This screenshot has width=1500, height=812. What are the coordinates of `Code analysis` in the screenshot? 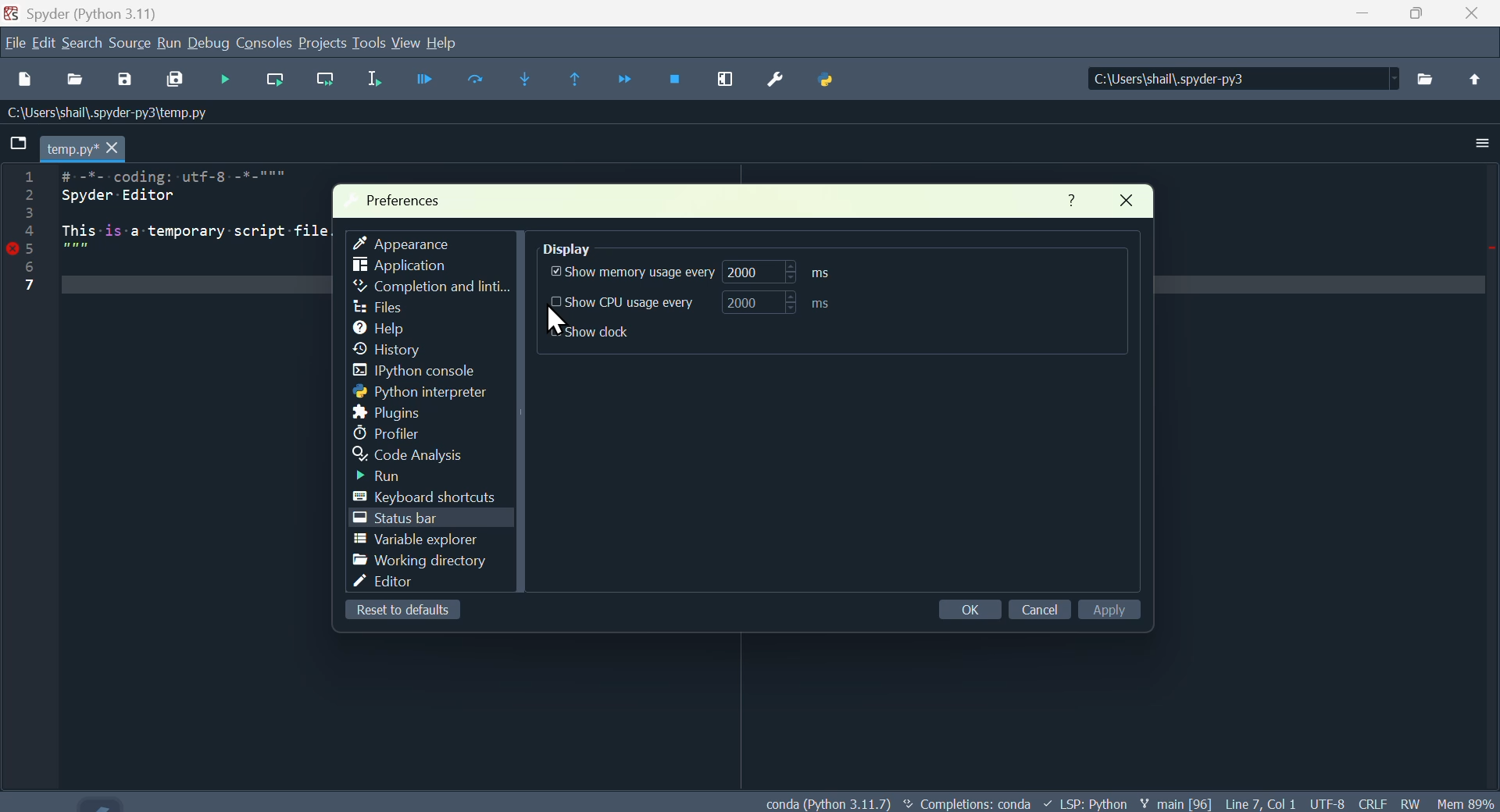 It's located at (424, 456).